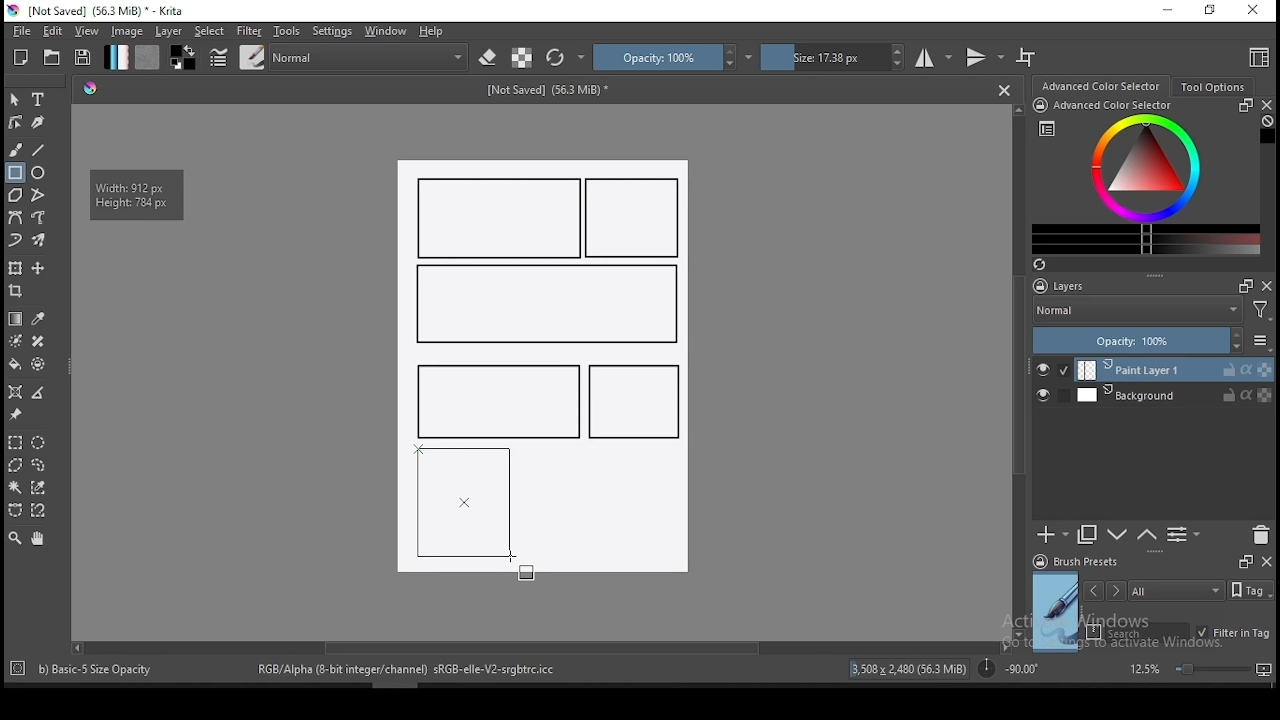 Image resolution: width=1280 pixels, height=720 pixels. What do you see at coordinates (15, 121) in the screenshot?
I see `edit shapes tool` at bounding box center [15, 121].